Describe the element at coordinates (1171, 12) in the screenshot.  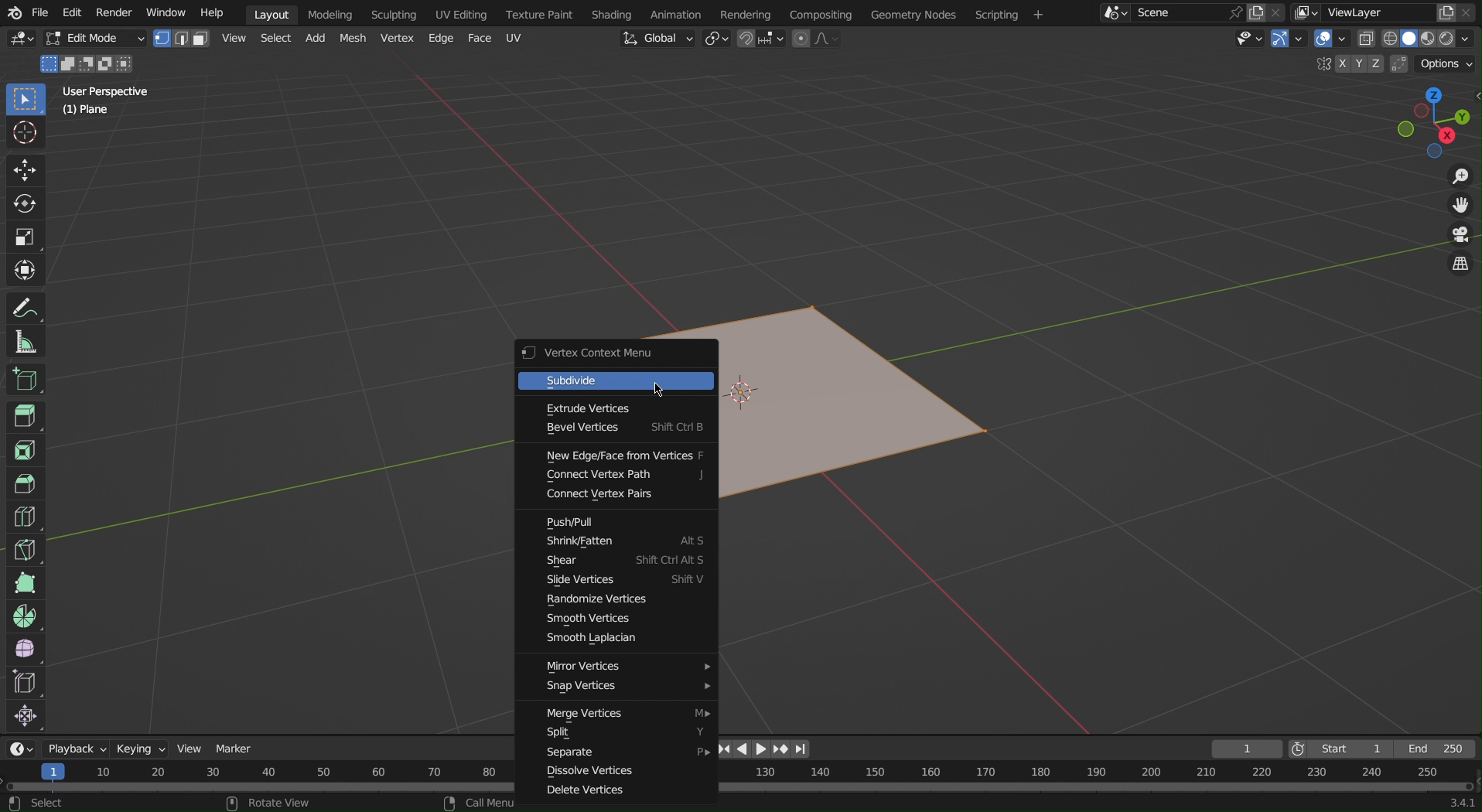
I see `Scene` at that location.